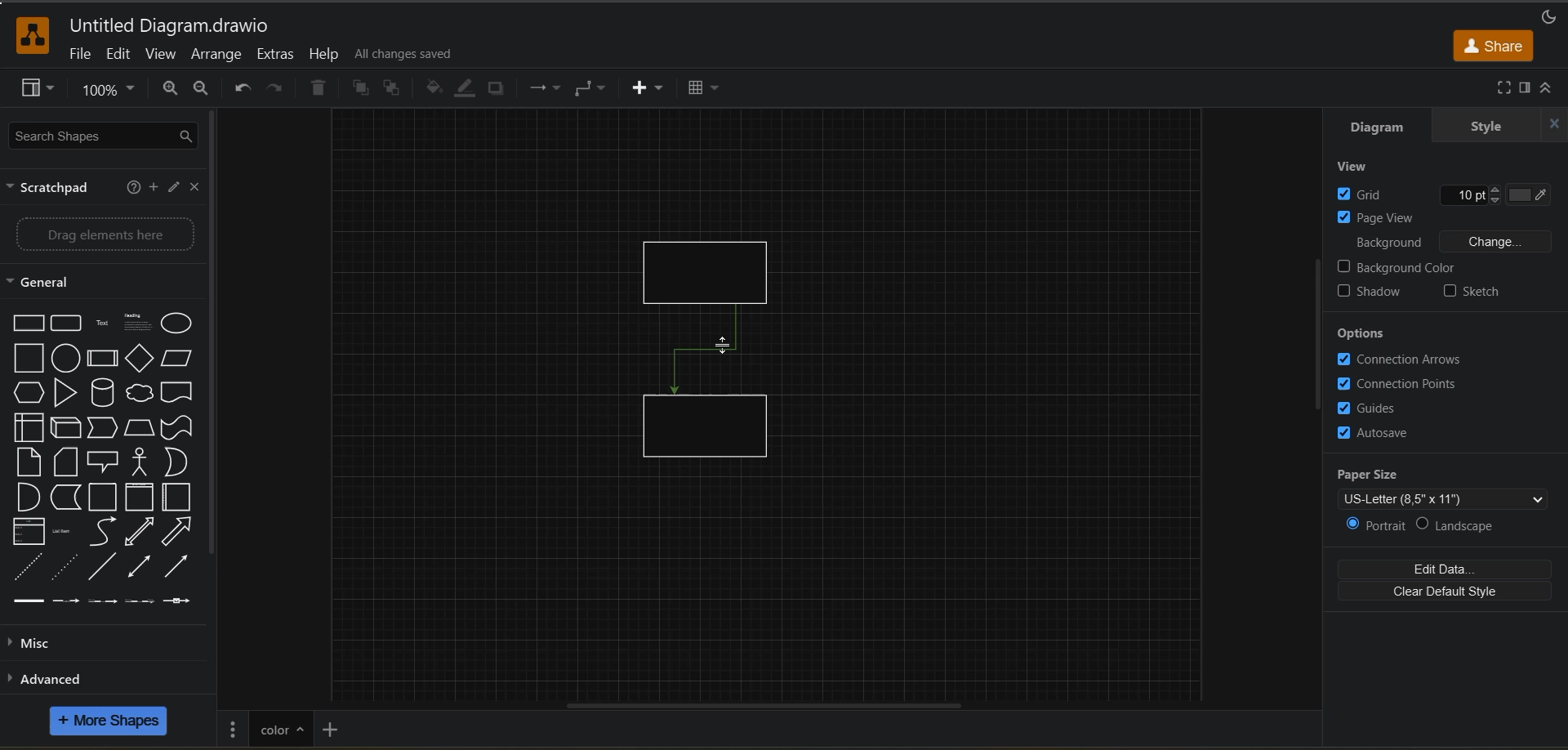 The height and width of the screenshot is (750, 1568). I want to click on file name and app title, so click(169, 27).